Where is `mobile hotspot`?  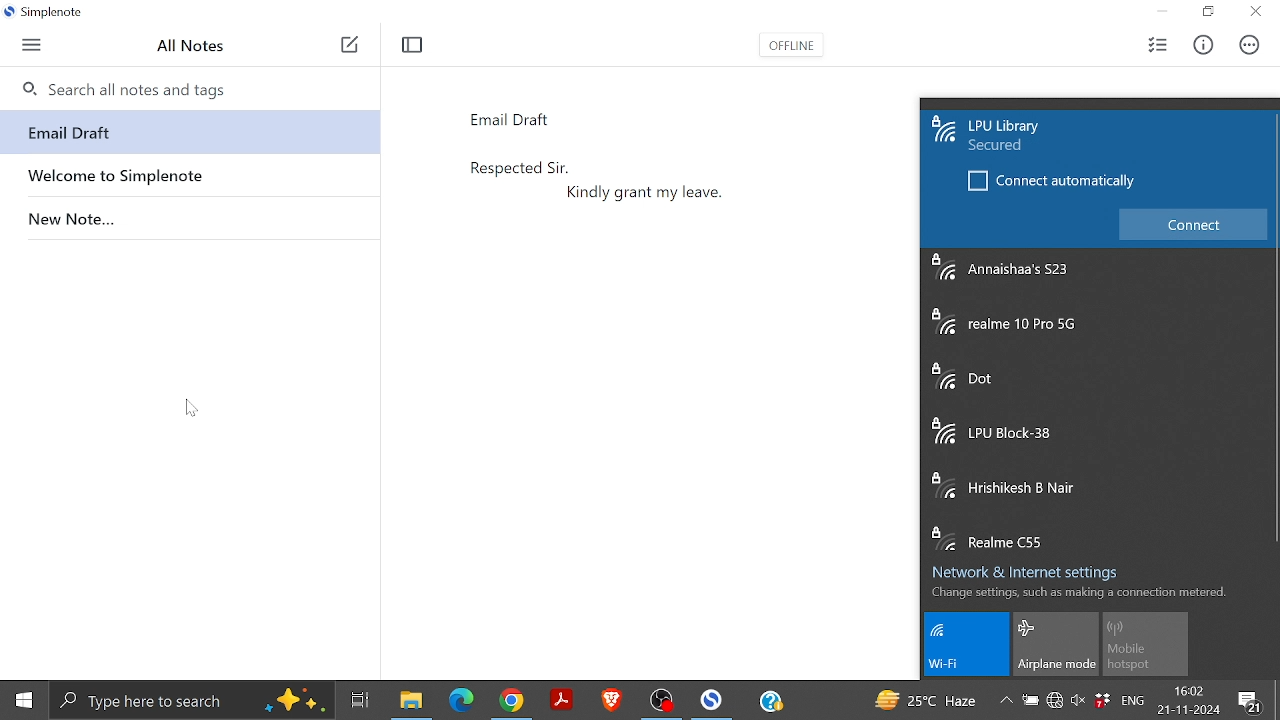 mobile hotspot is located at coordinates (1145, 645).